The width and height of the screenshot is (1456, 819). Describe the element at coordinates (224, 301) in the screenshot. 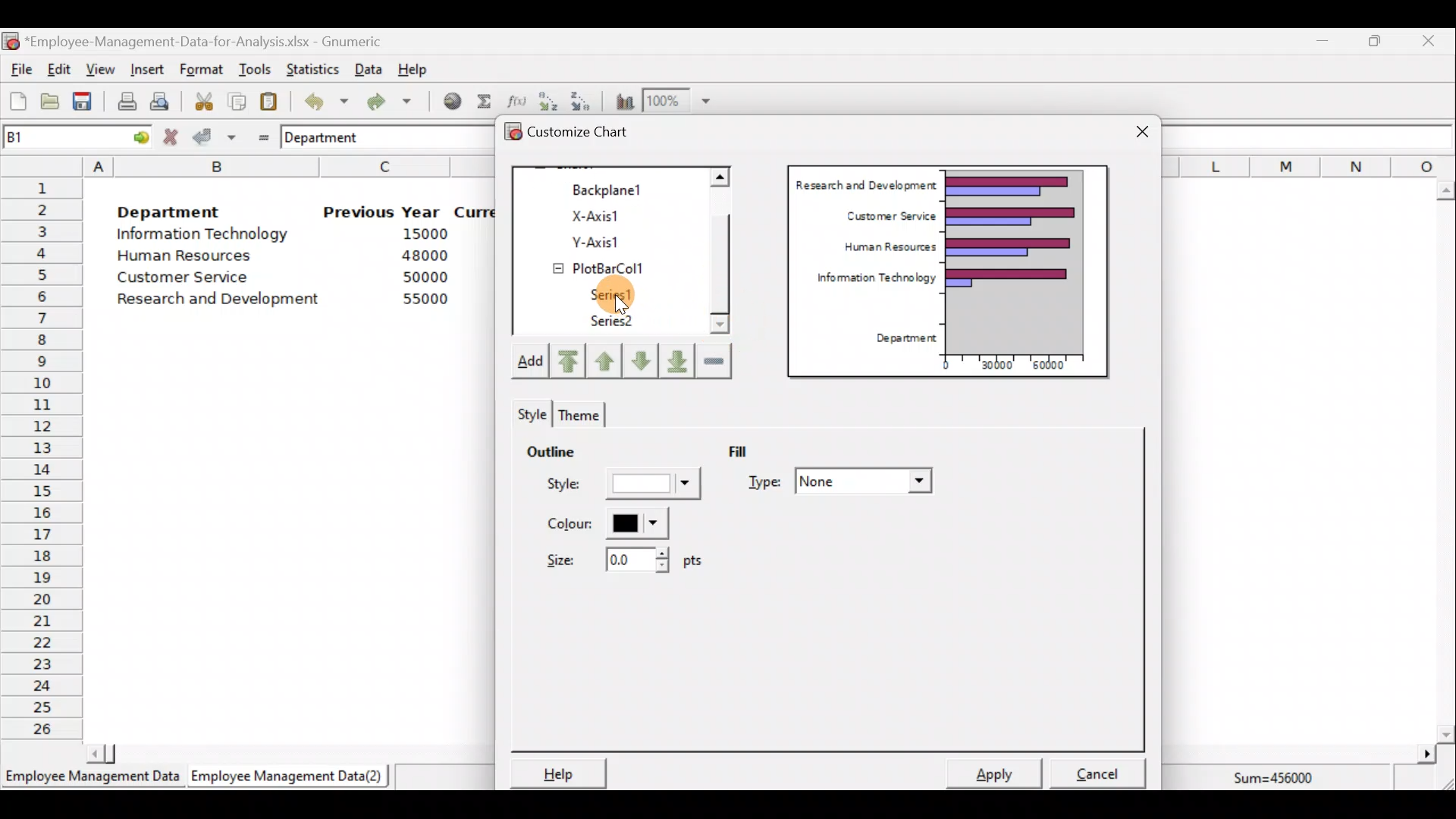

I see `Research and Development` at that location.